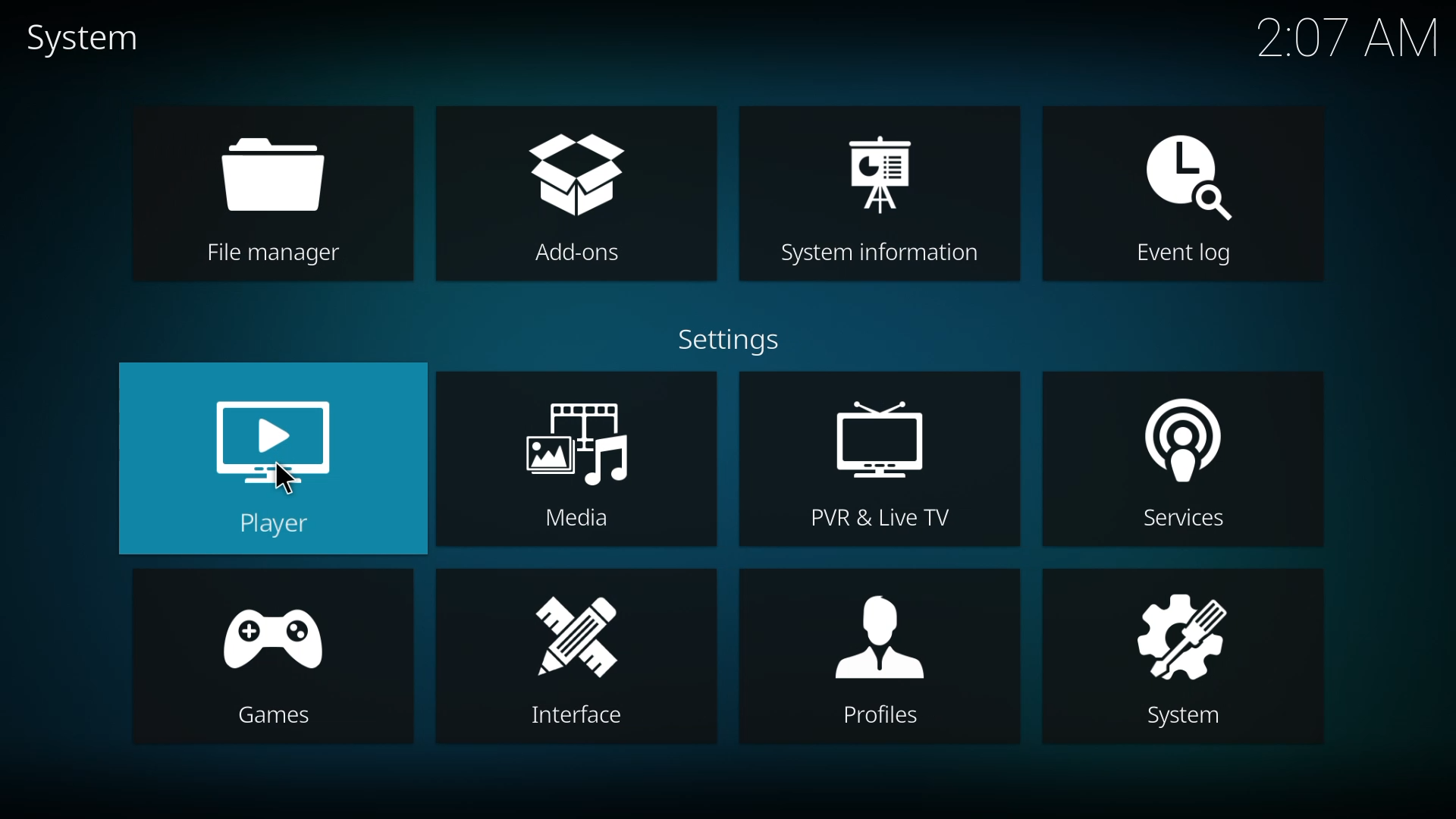  I want to click on interface, so click(579, 655).